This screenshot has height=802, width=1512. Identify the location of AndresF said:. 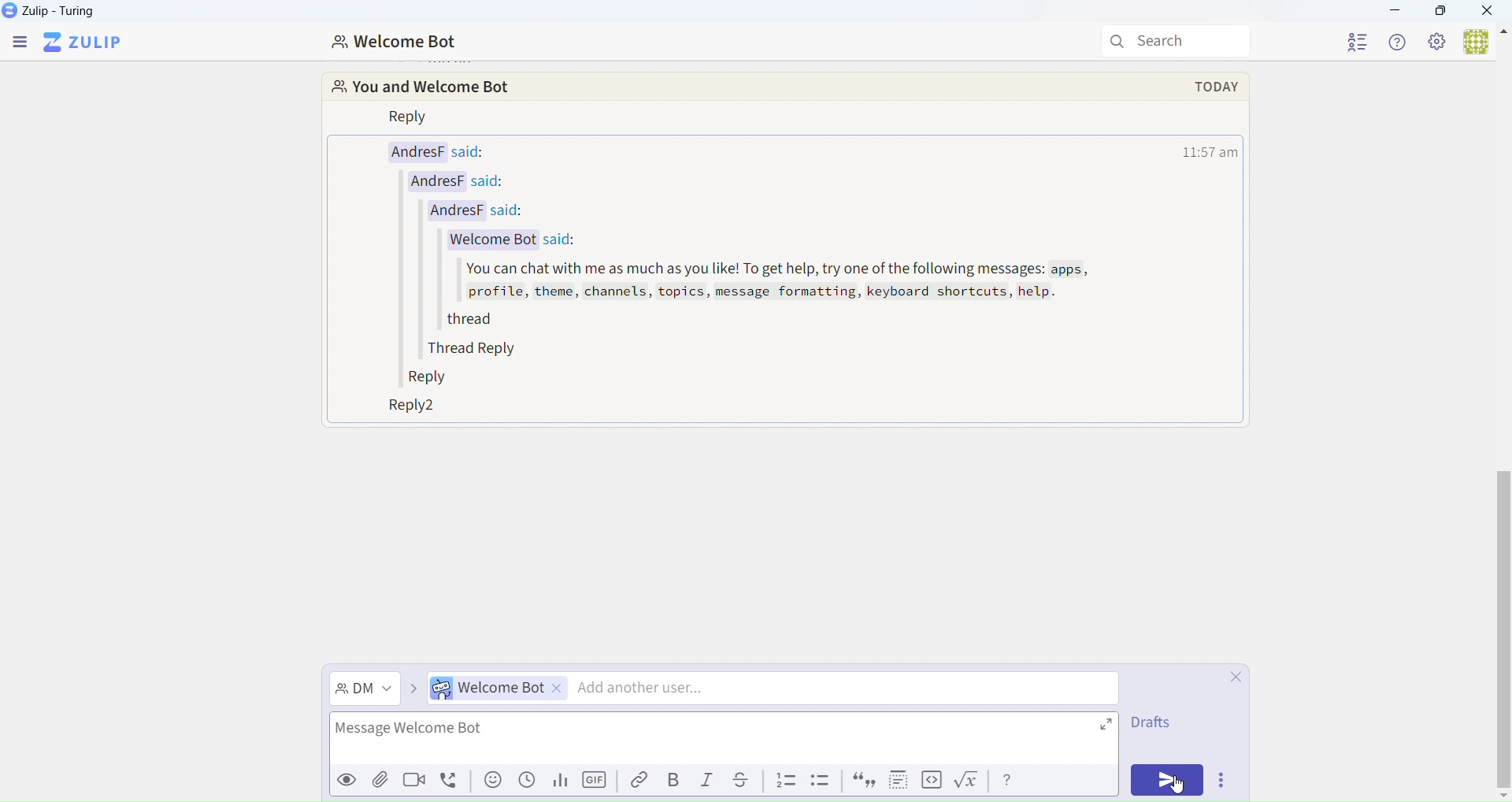
(493, 212).